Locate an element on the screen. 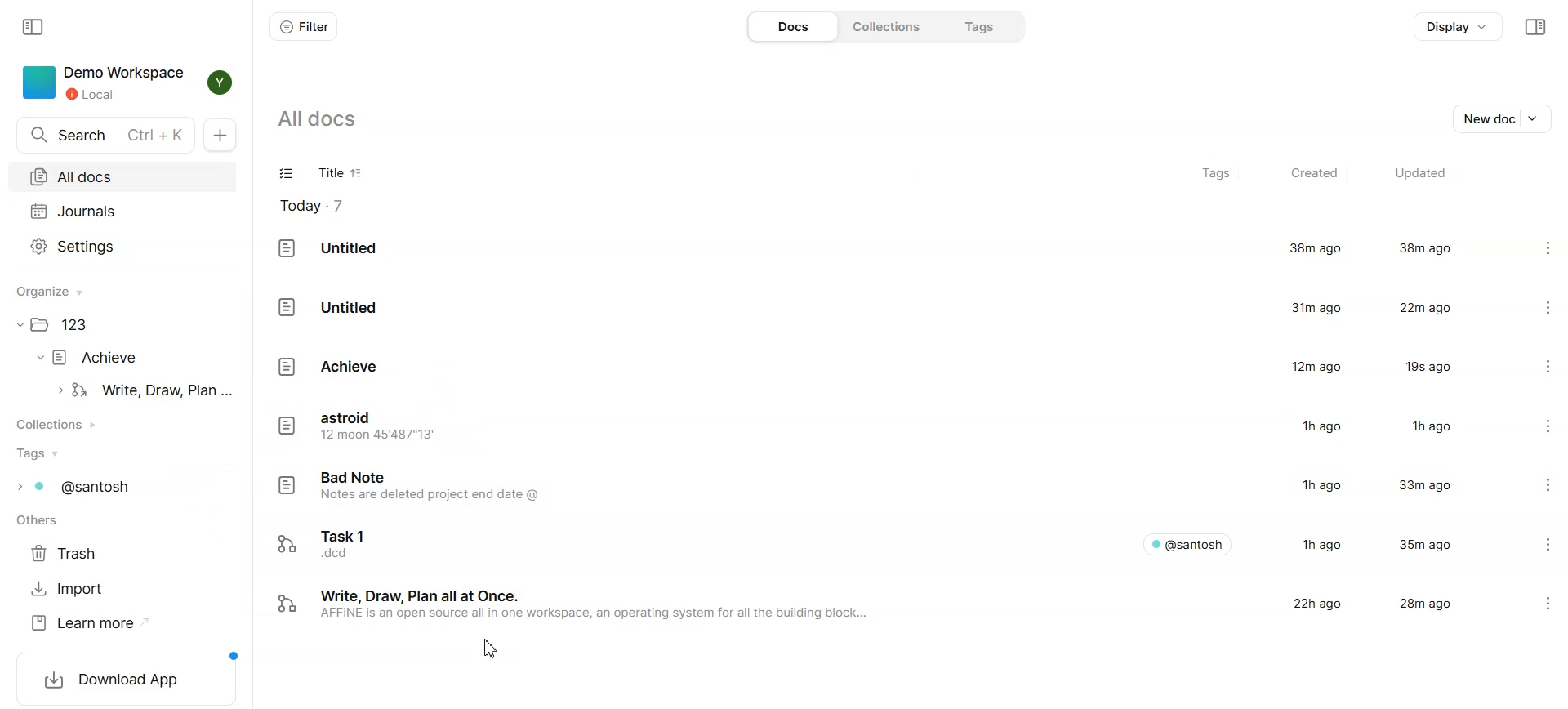  Folder file is located at coordinates (68, 326).